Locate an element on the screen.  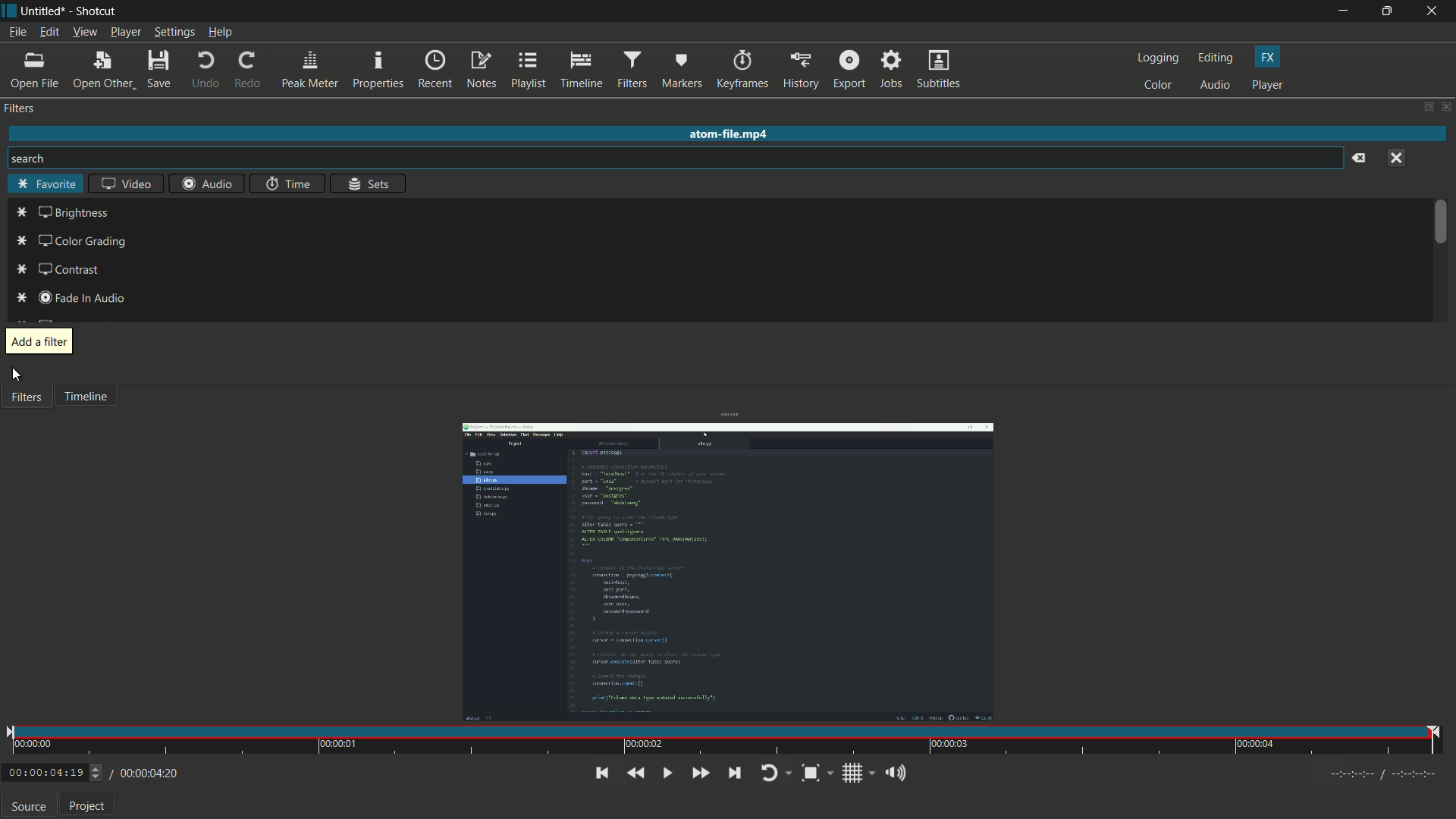
undo is located at coordinates (203, 71).